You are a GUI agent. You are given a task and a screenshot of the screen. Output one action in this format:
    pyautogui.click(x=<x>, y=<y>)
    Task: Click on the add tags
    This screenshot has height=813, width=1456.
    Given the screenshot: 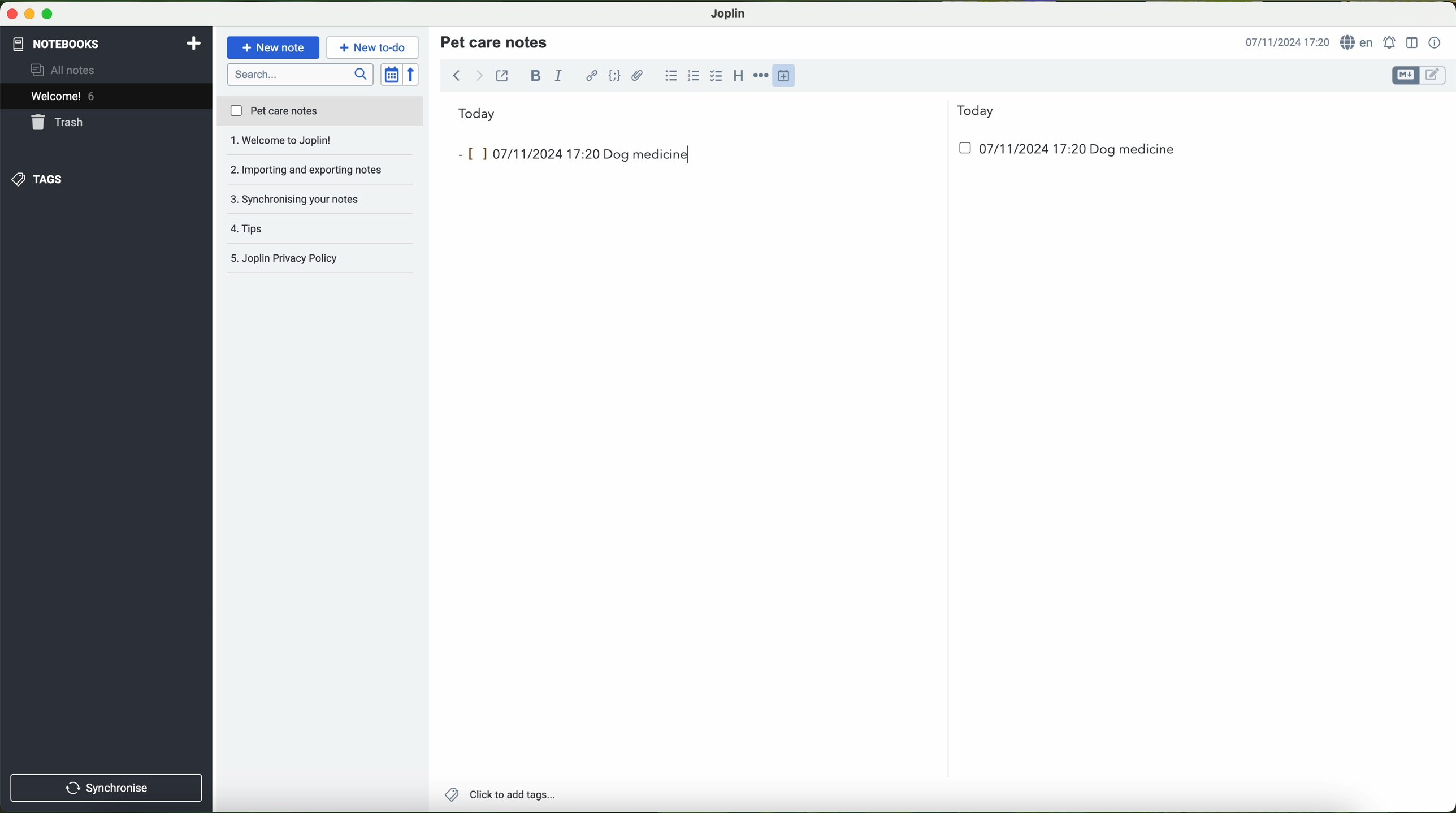 What is the action you would take?
    pyautogui.click(x=500, y=796)
    